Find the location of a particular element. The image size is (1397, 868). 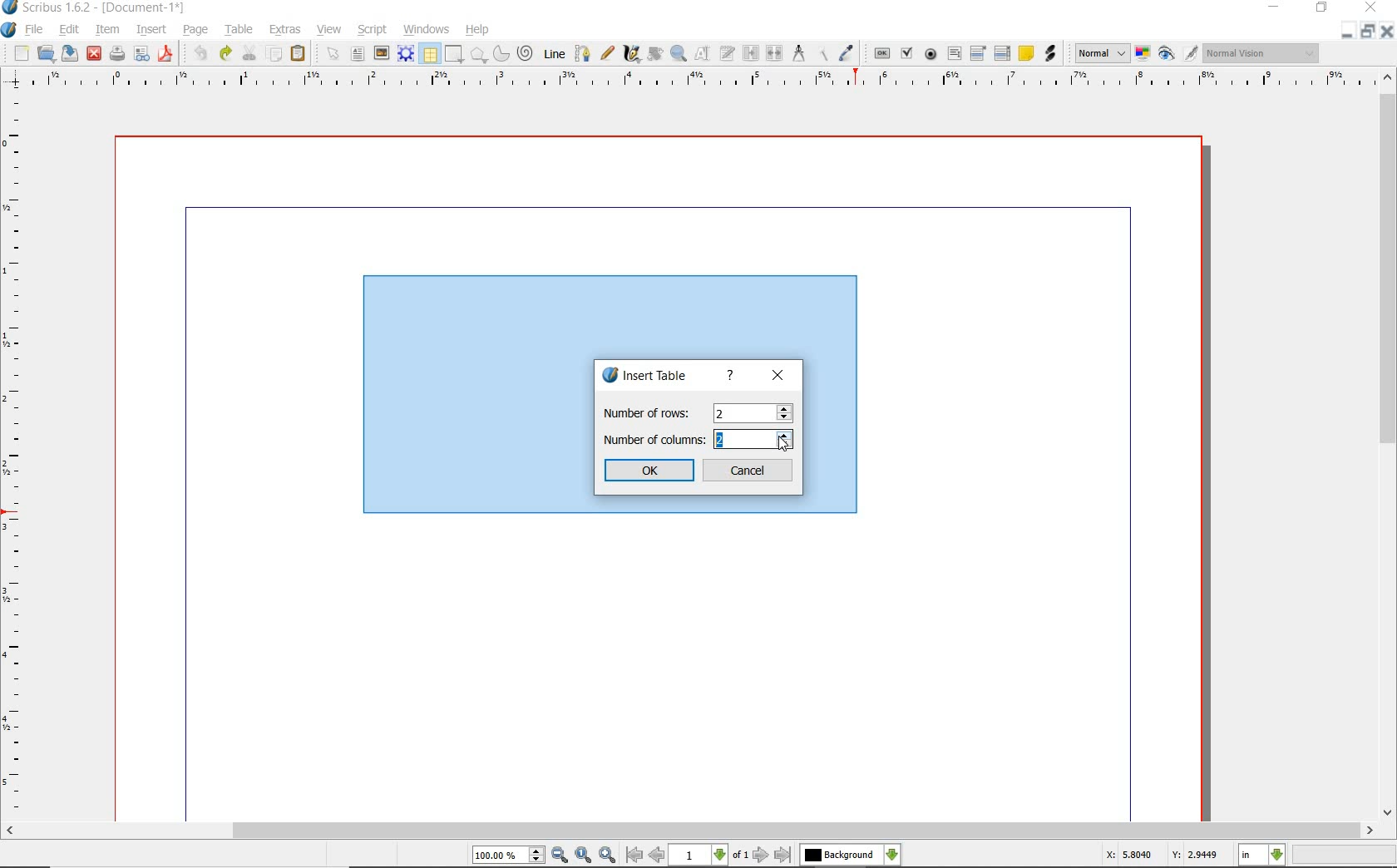

paste is located at coordinates (298, 53).